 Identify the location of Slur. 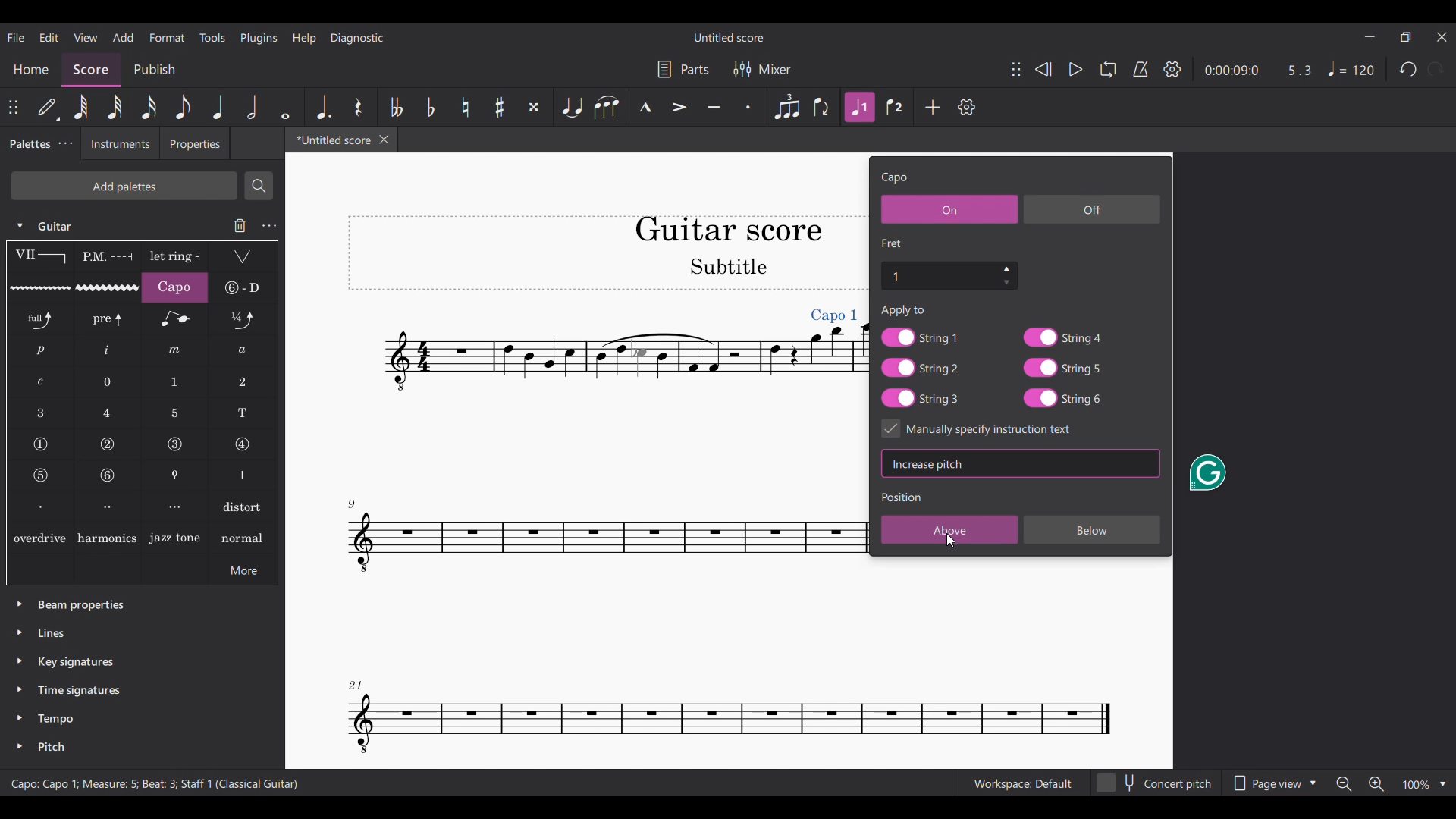
(606, 107).